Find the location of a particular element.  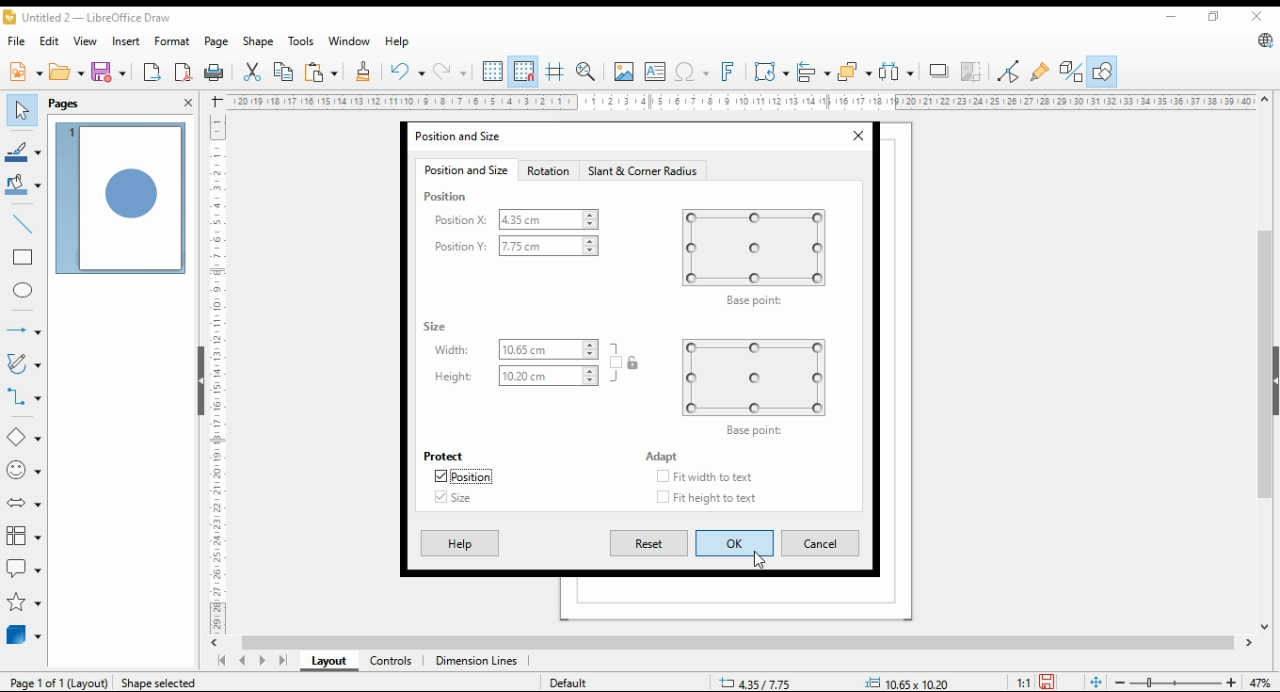

show draw functions is located at coordinates (1102, 72).